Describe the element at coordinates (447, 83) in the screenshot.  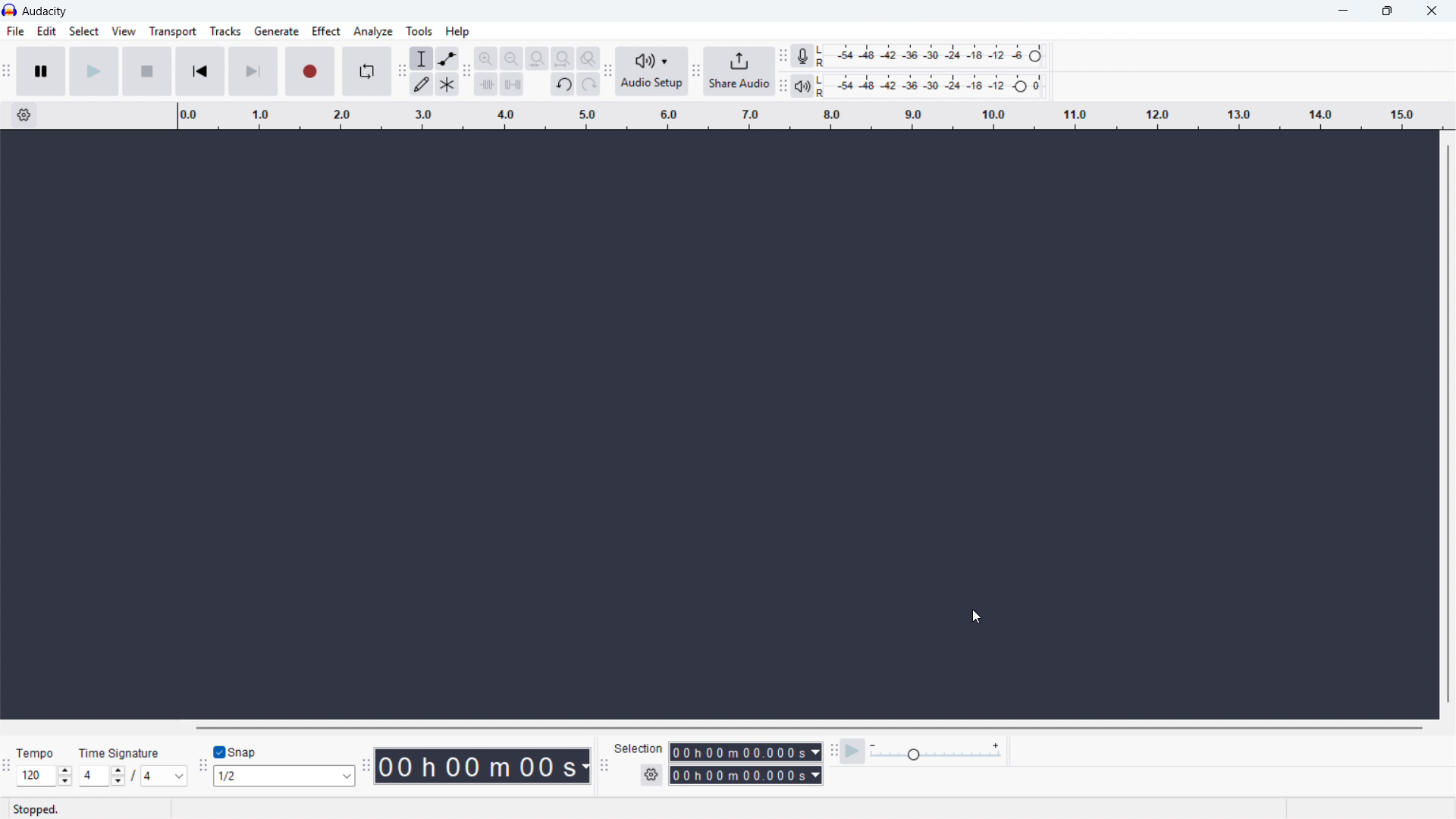
I see `multi tool` at that location.